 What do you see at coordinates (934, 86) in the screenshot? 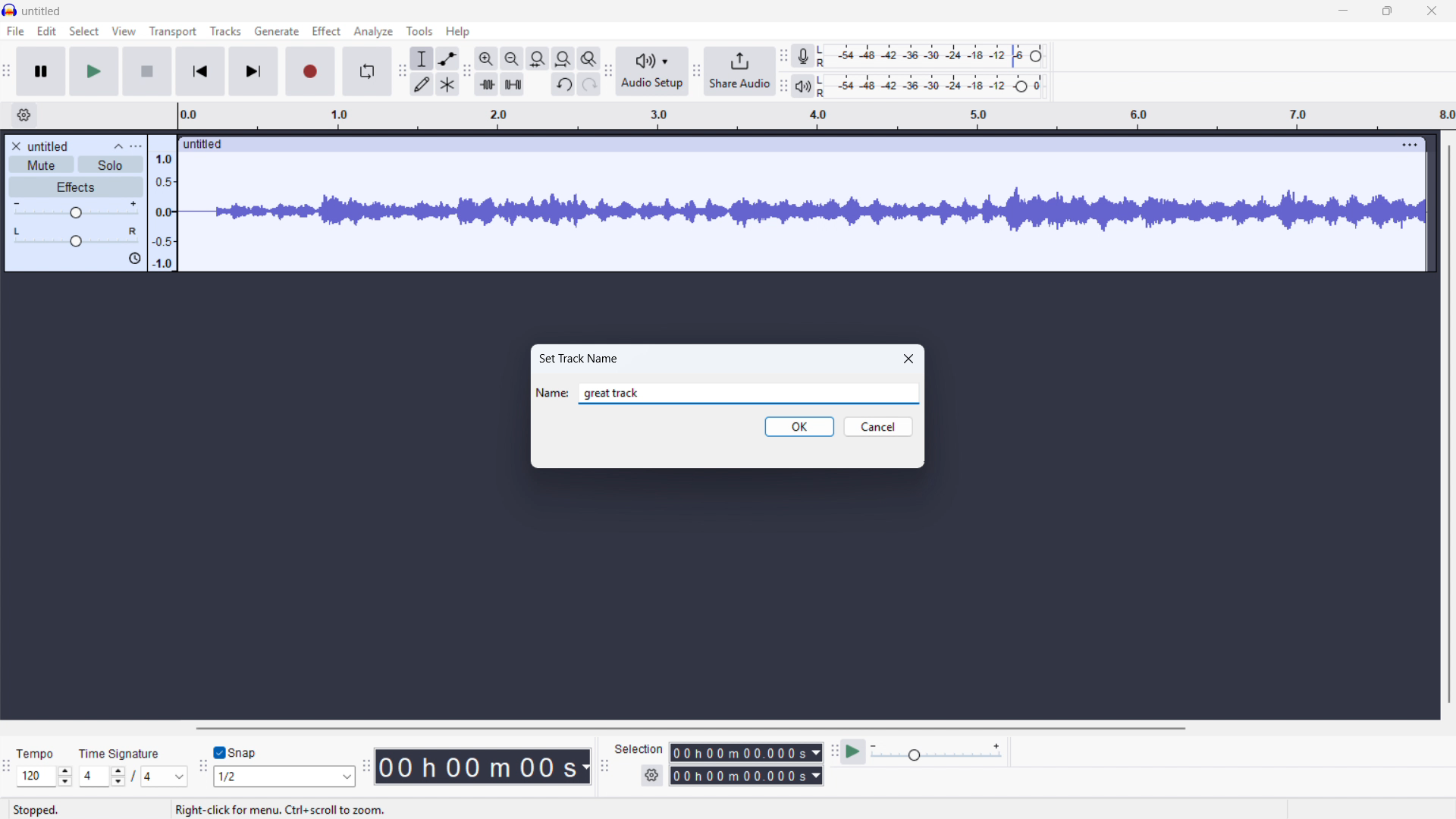
I see `Playback level ` at bounding box center [934, 86].